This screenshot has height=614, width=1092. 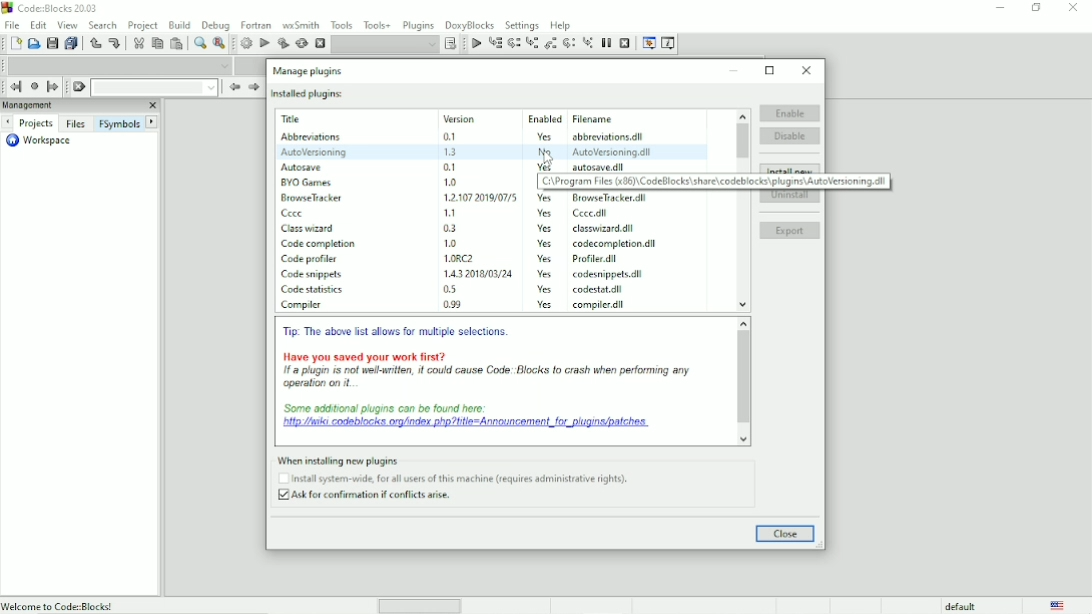 I want to click on Export, so click(x=790, y=231).